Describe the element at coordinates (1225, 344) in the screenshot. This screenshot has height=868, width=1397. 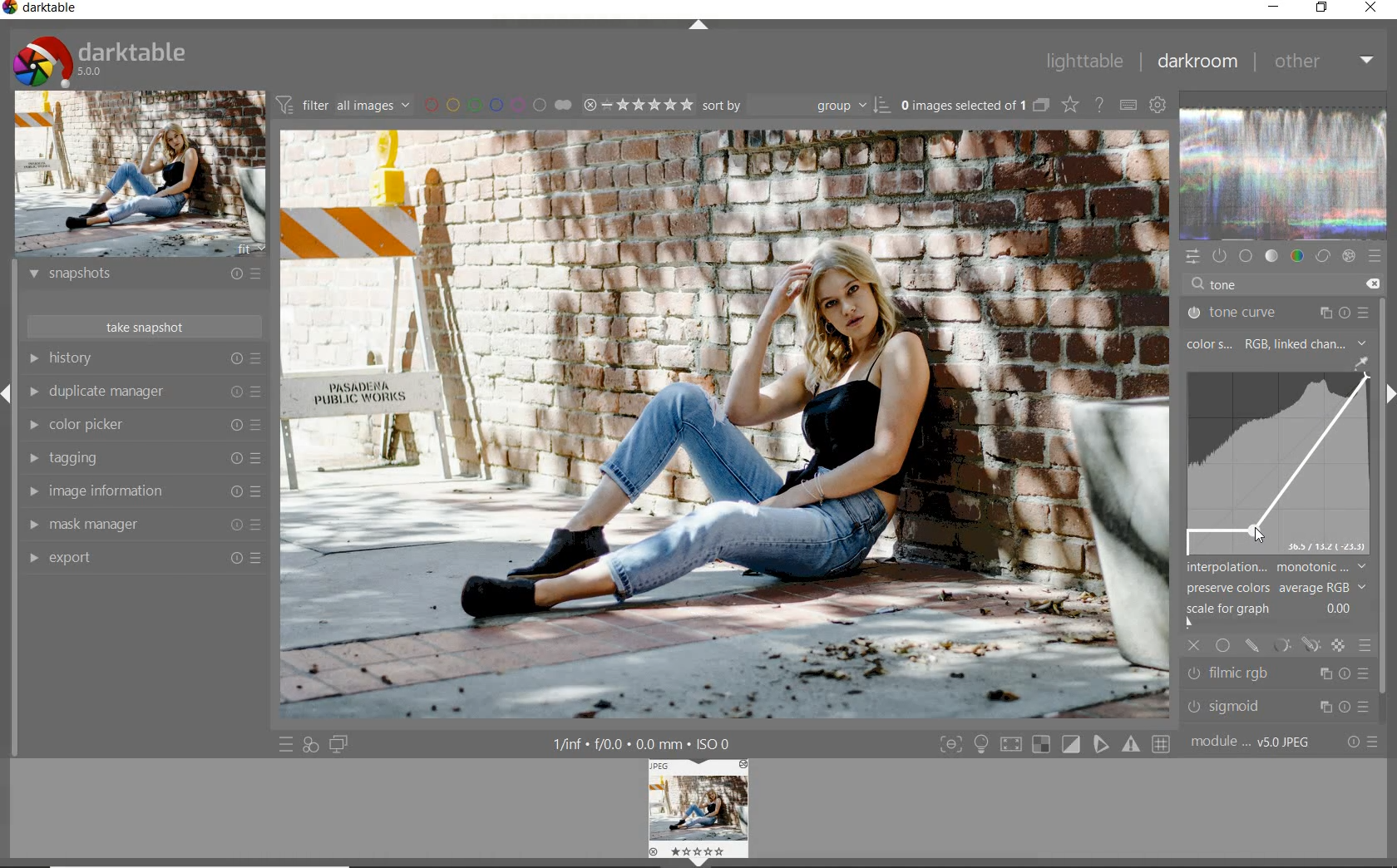
I see `color s.. RGB` at that location.